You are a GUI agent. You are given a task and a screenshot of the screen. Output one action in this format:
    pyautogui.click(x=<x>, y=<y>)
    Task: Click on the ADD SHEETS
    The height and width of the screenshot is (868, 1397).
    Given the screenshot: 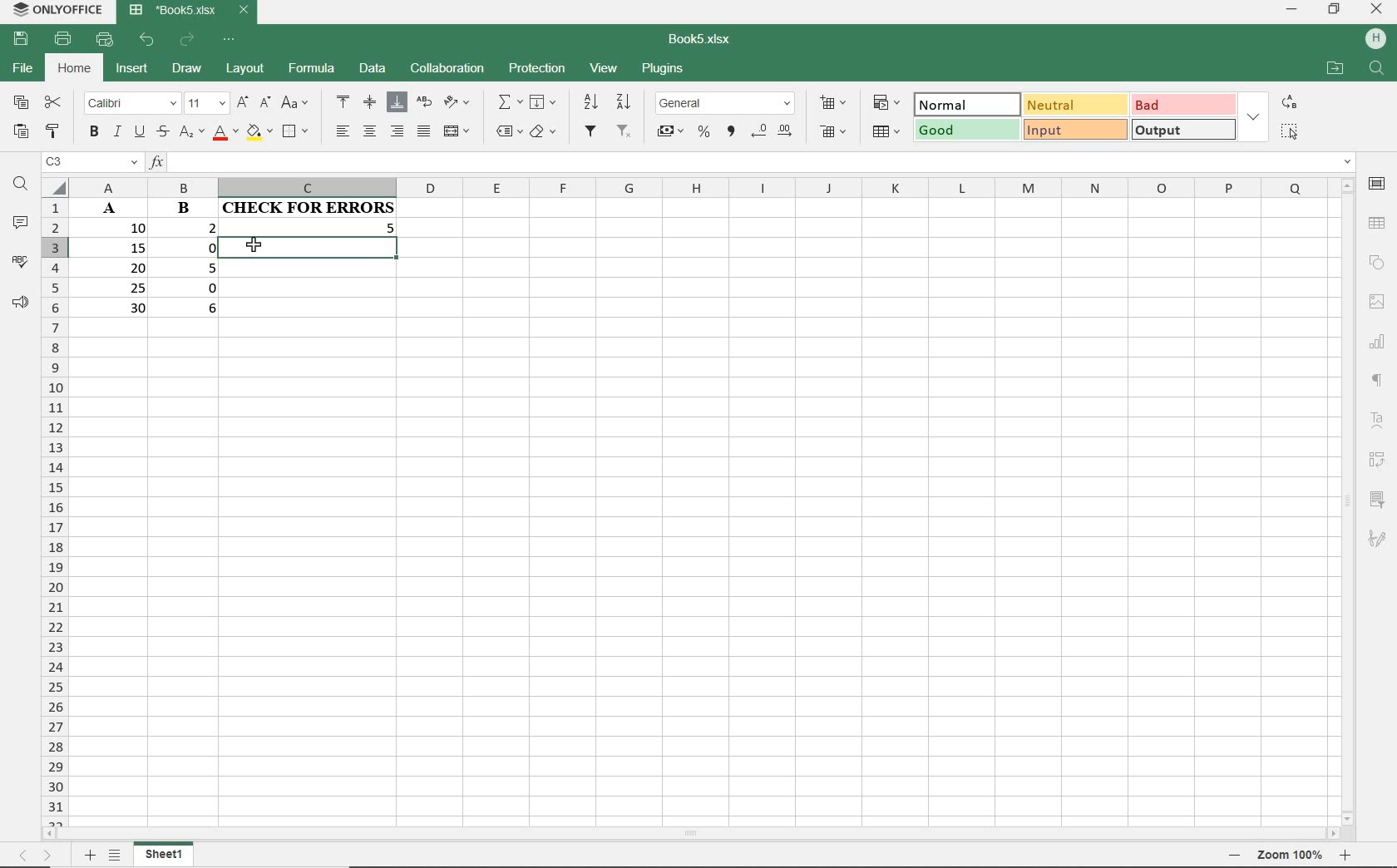 What is the action you would take?
    pyautogui.click(x=89, y=856)
    